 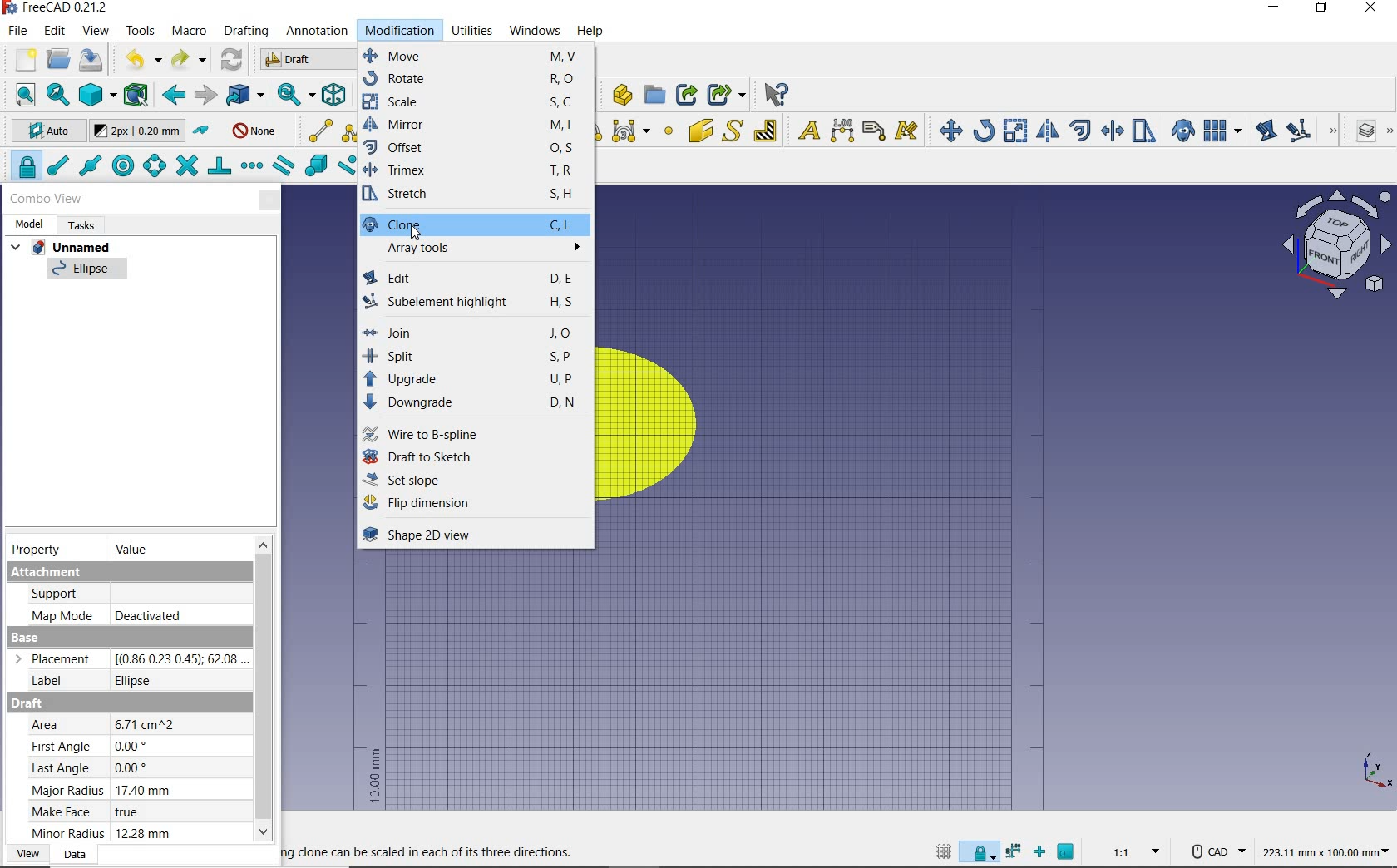 I want to click on fit selection, so click(x=57, y=95).